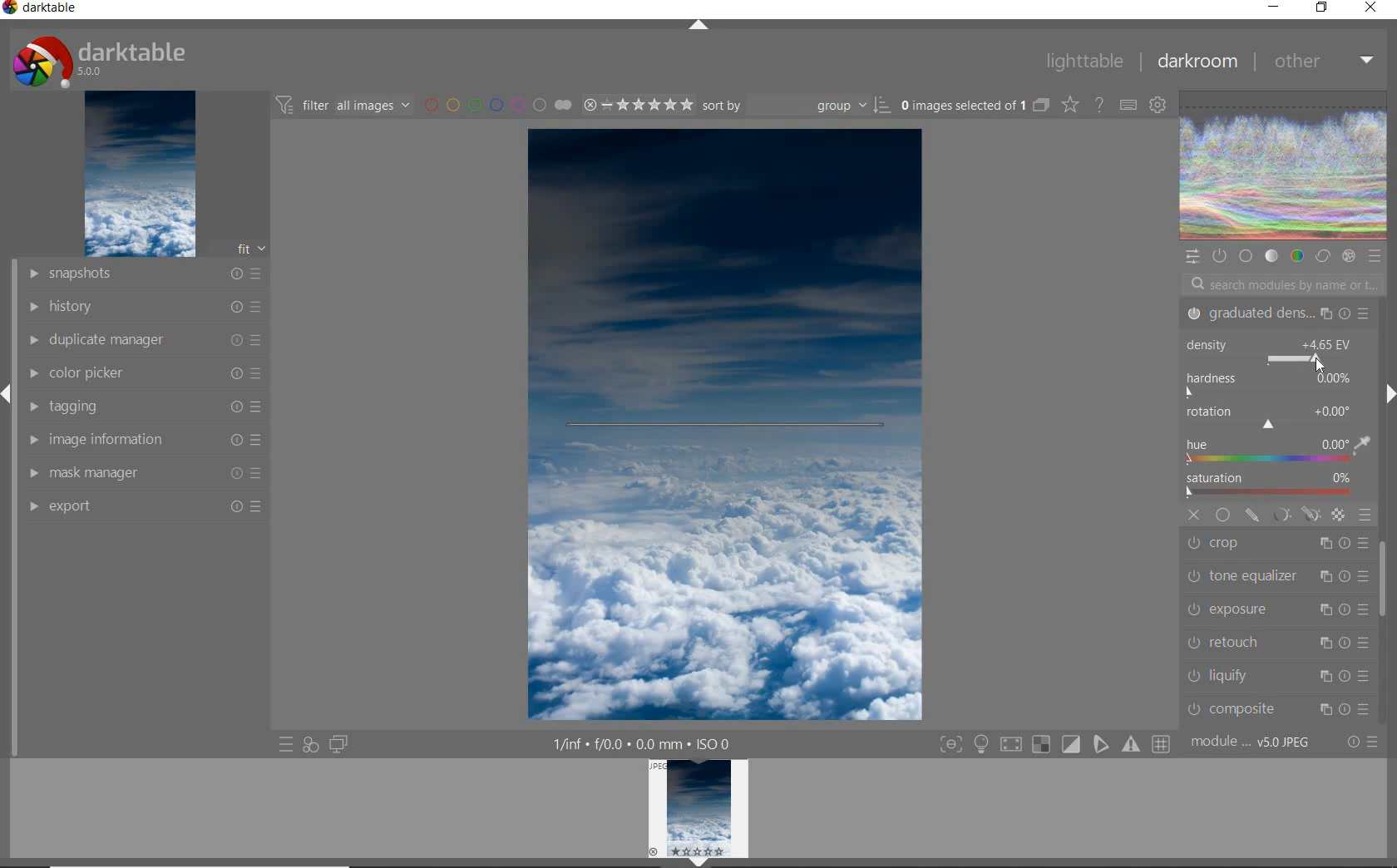 The image size is (1397, 868). What do you see at coordinates (147, 472) in the screenshot?
I see `MASK MANAGER` at bounding box center [147, 472].